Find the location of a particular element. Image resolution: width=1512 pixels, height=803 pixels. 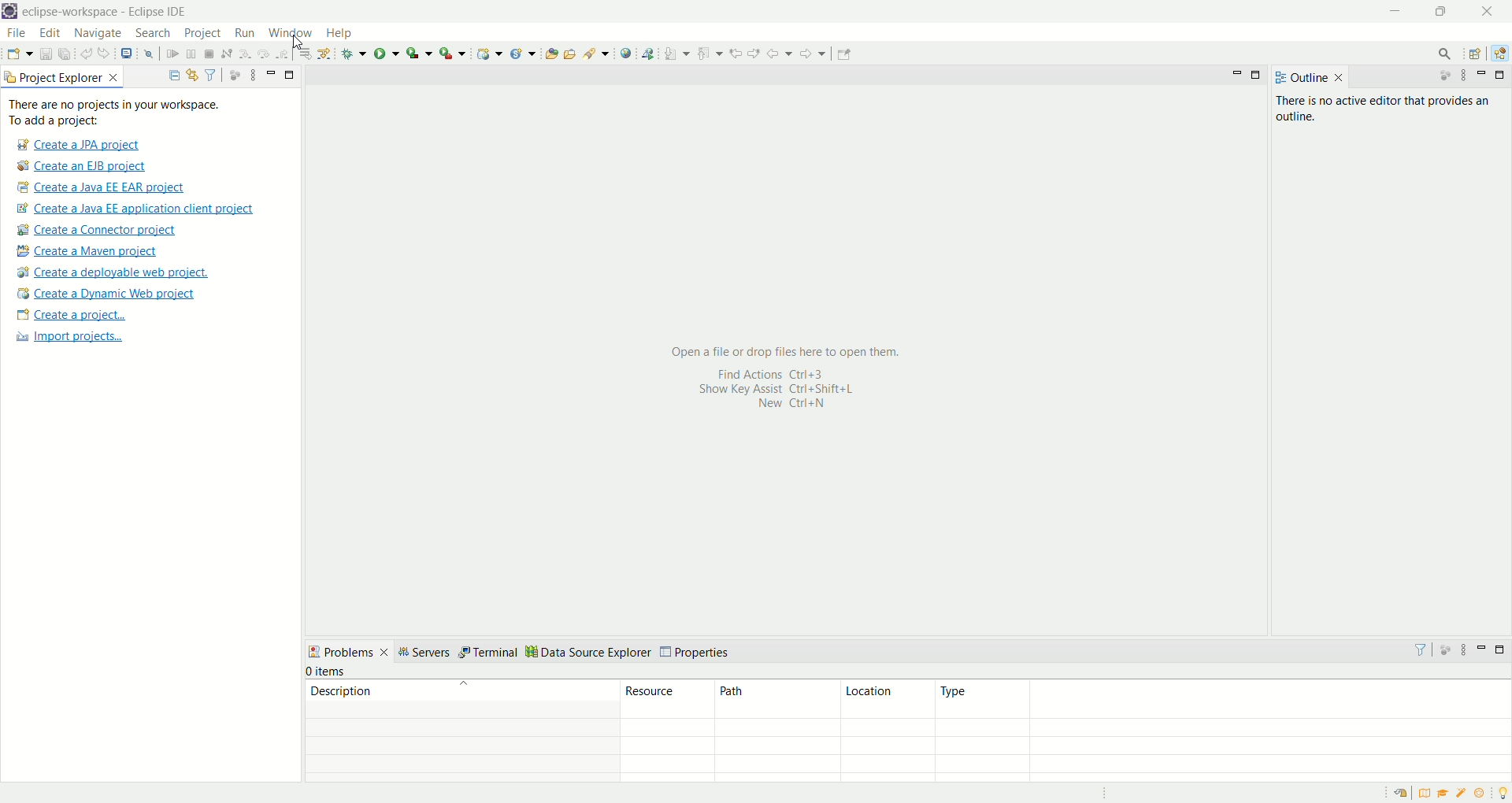

create a connector project is located at coordinates (94, 231).